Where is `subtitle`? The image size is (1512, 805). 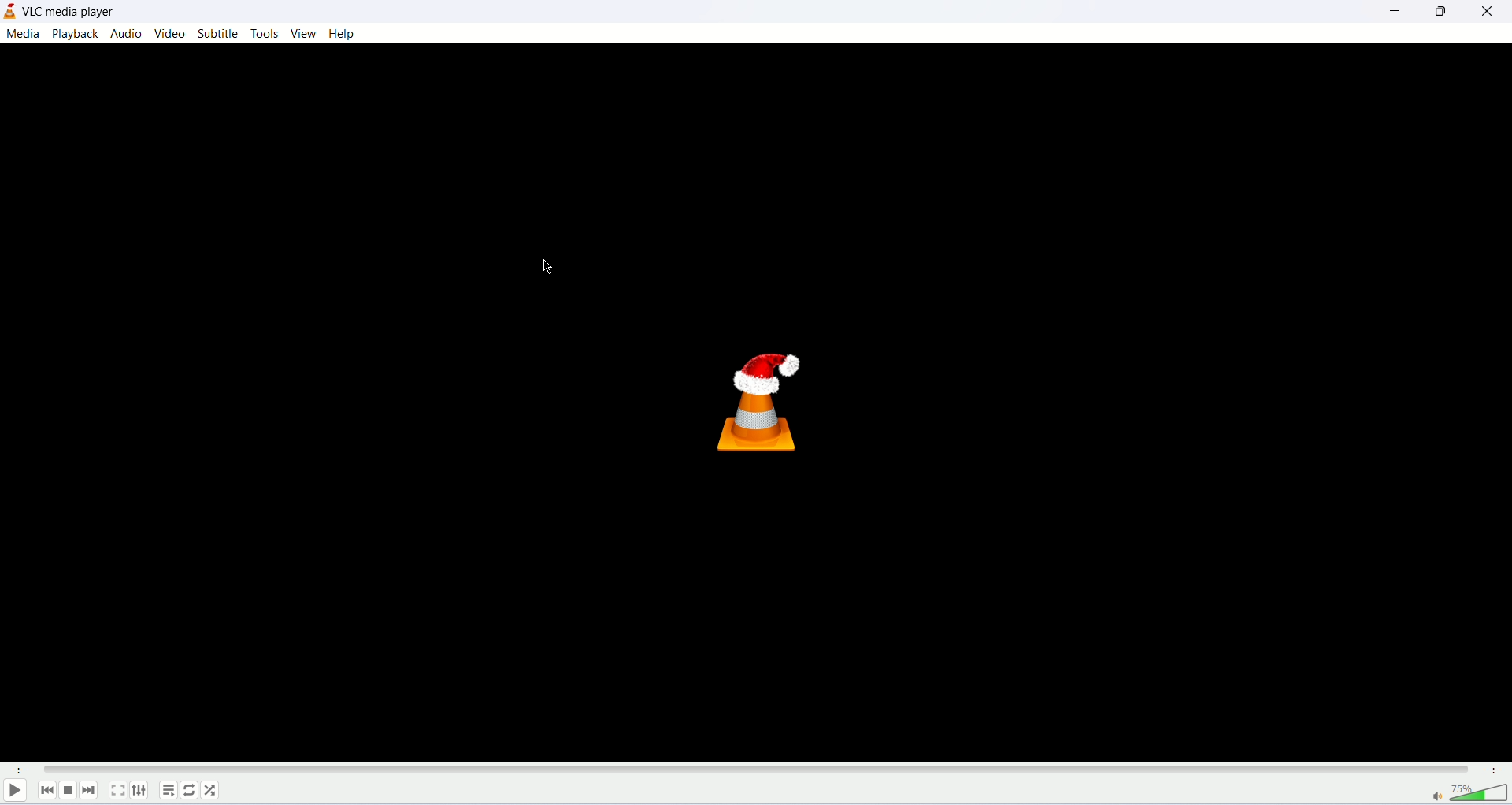
subtitle is located at coordinates (218, 32).